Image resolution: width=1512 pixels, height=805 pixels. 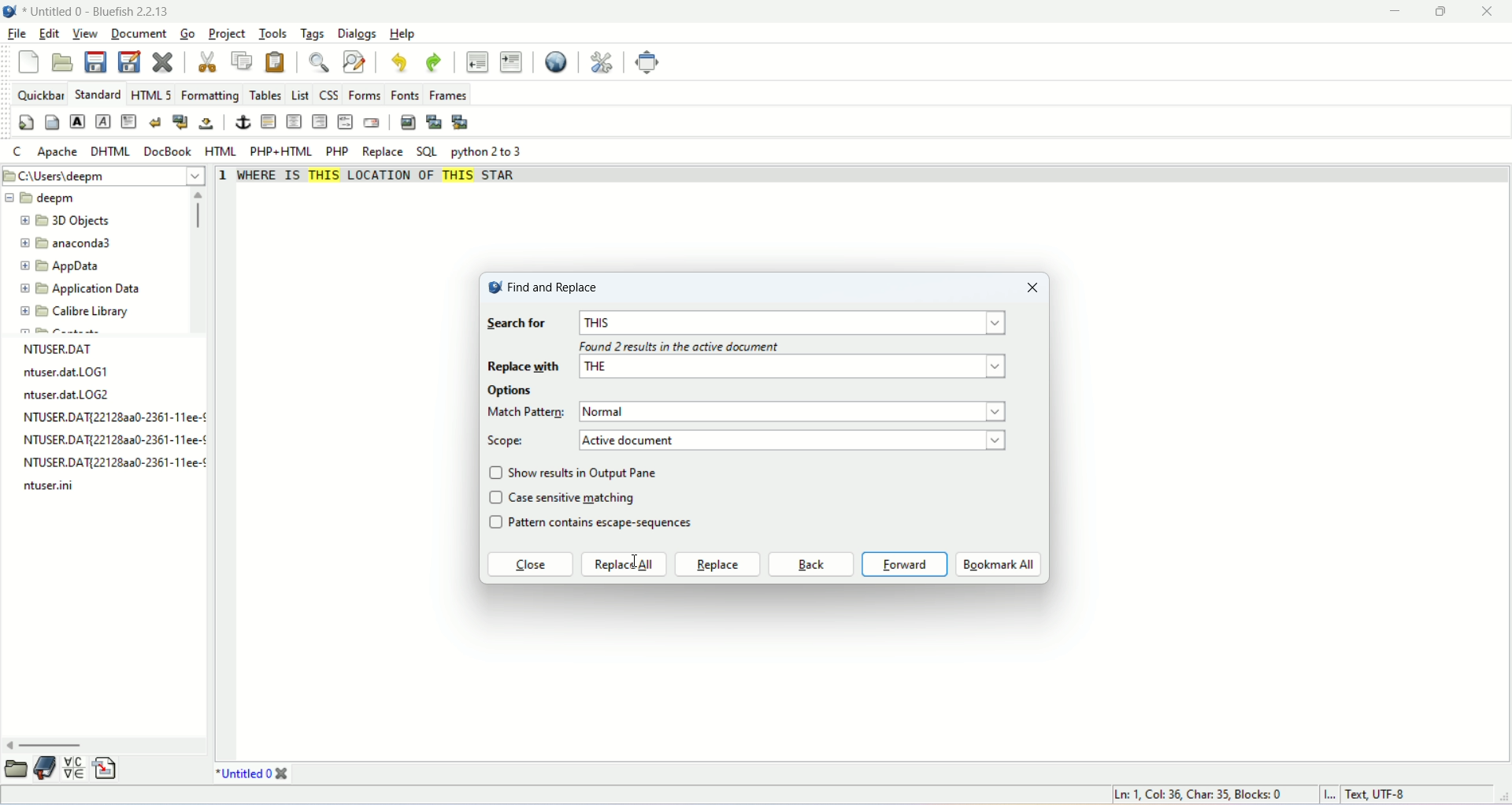 What do you see at coordinates (282, 773) in the screenshot?
I see `close` at bounding box center [282, 773].